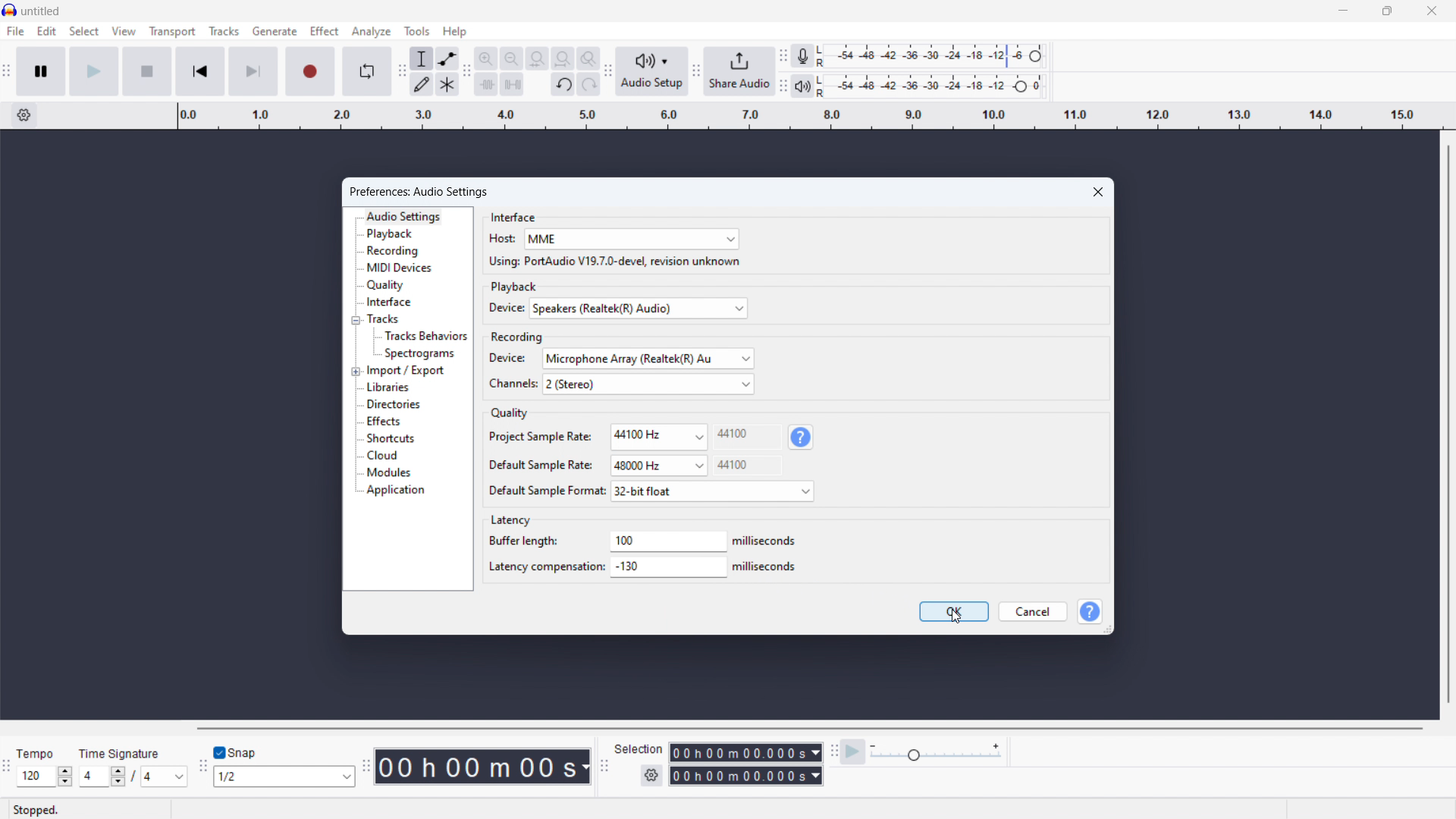 This screenshot has width=1456, height=819. Describe the element at coordinates (659, 466) in the screenshot. I see `default sample rate adjusted` at that location.